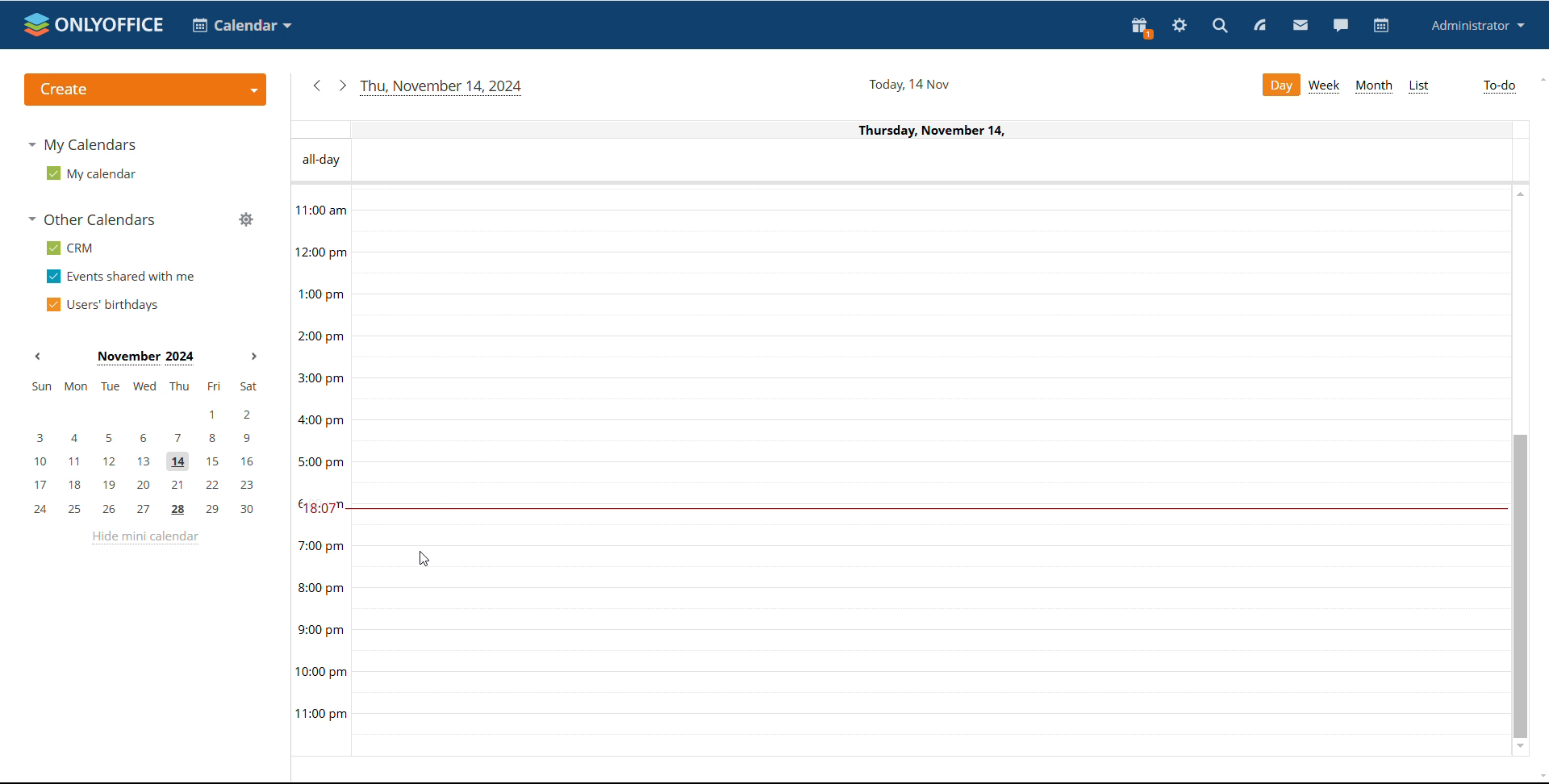 This screenshot has width=1549, height=784. I want to click on profile, so click(1476, 26).